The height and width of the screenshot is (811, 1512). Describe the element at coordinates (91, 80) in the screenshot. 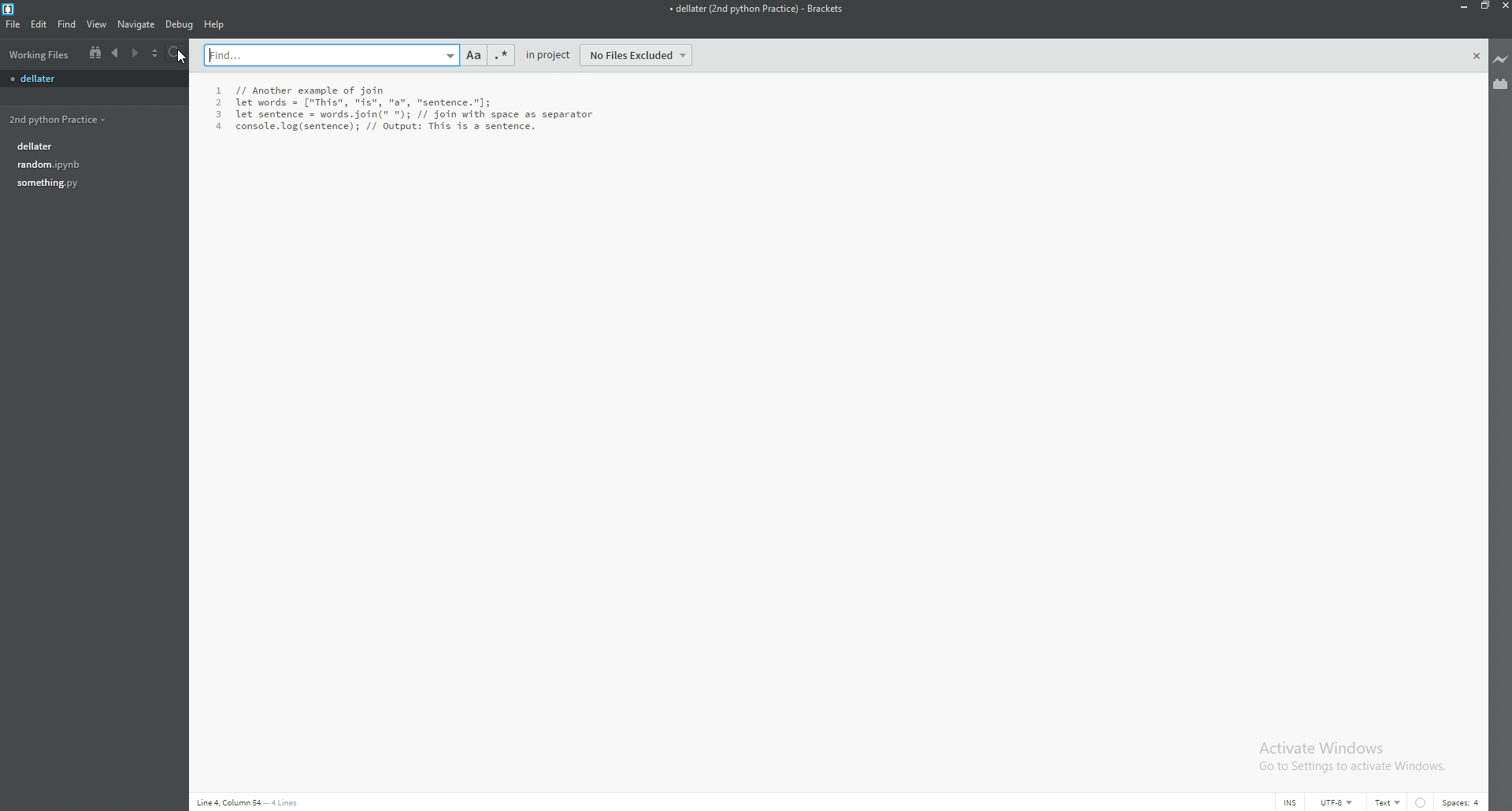

I see `file` at that location.